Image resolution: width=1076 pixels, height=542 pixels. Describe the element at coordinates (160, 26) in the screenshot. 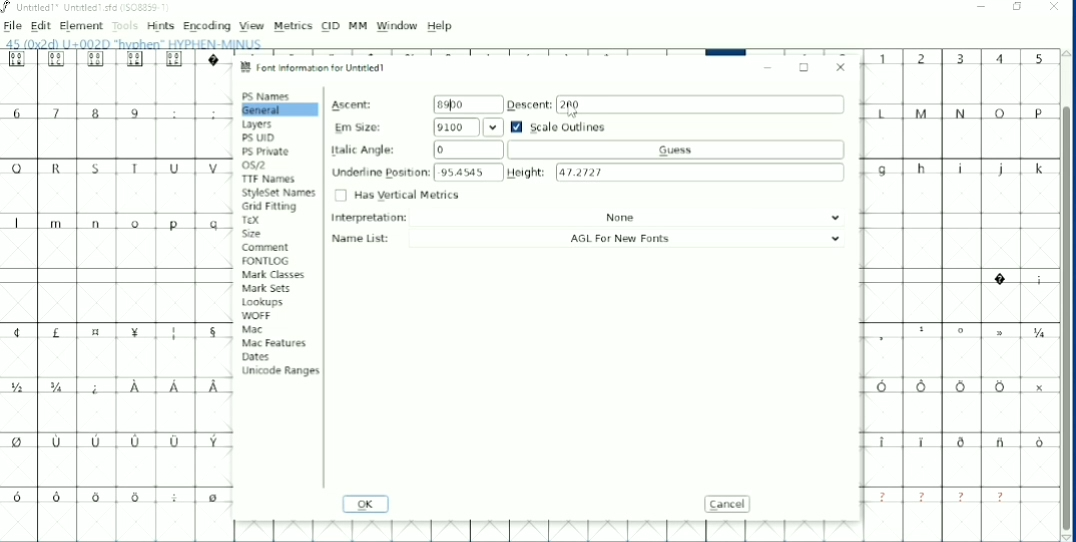

I see `Hints` at that location.